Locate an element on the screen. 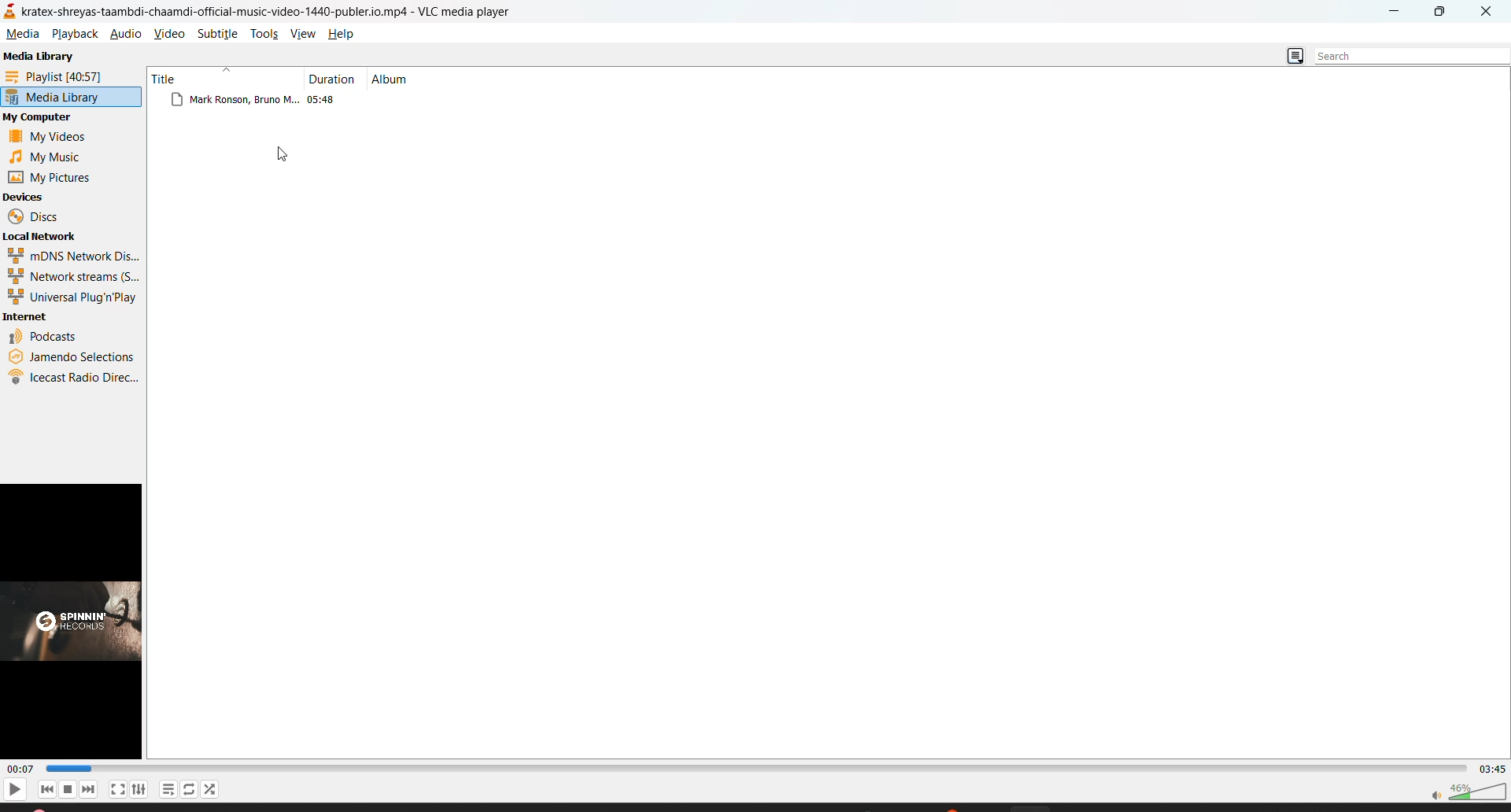 The height and width of the screenshot is (812, 1511). icecast is located at coordinates (72, 376).